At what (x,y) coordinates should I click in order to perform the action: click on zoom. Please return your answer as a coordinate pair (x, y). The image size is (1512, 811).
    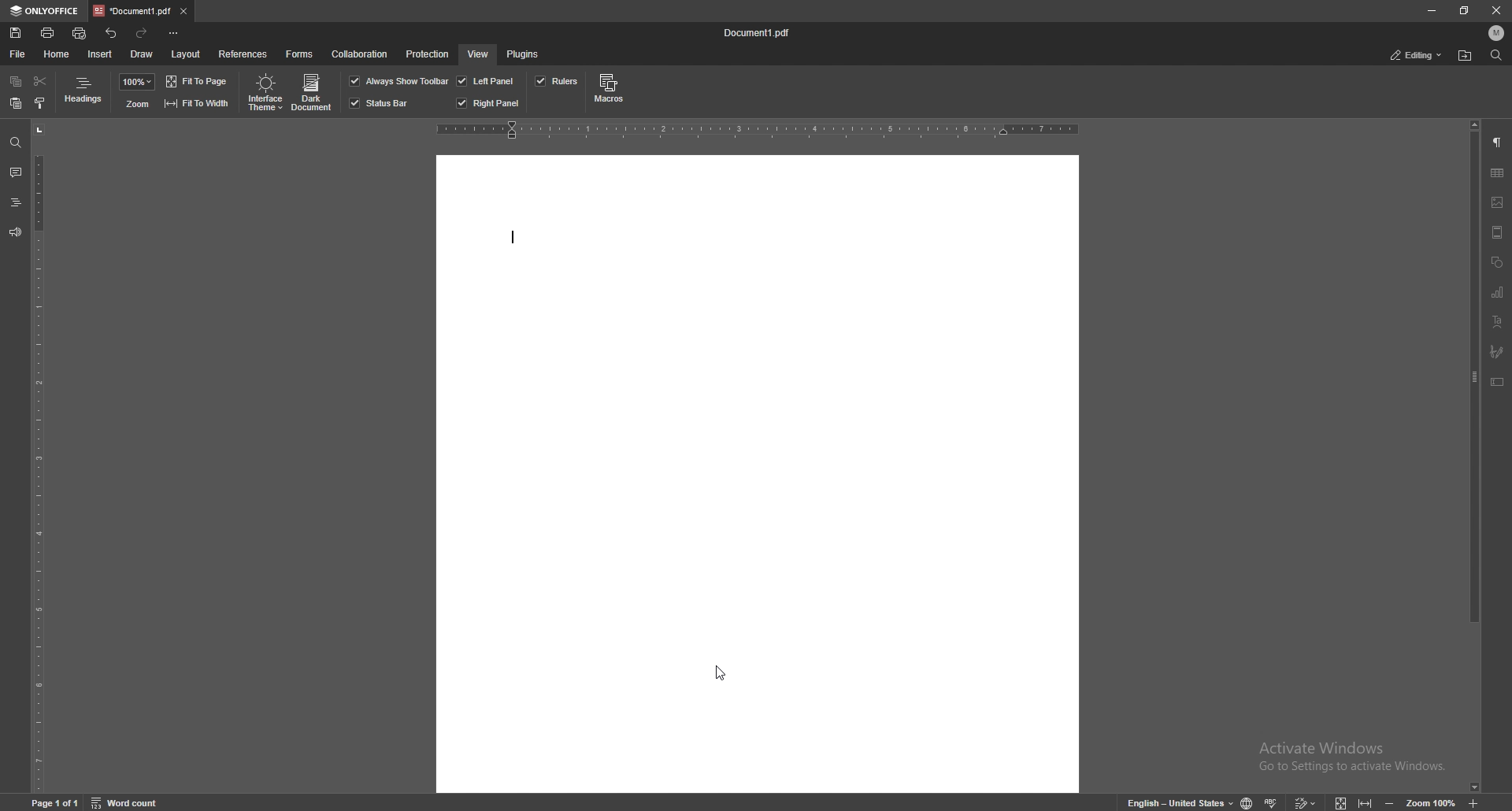
    Looking at the image, I should click on (1432, 802).